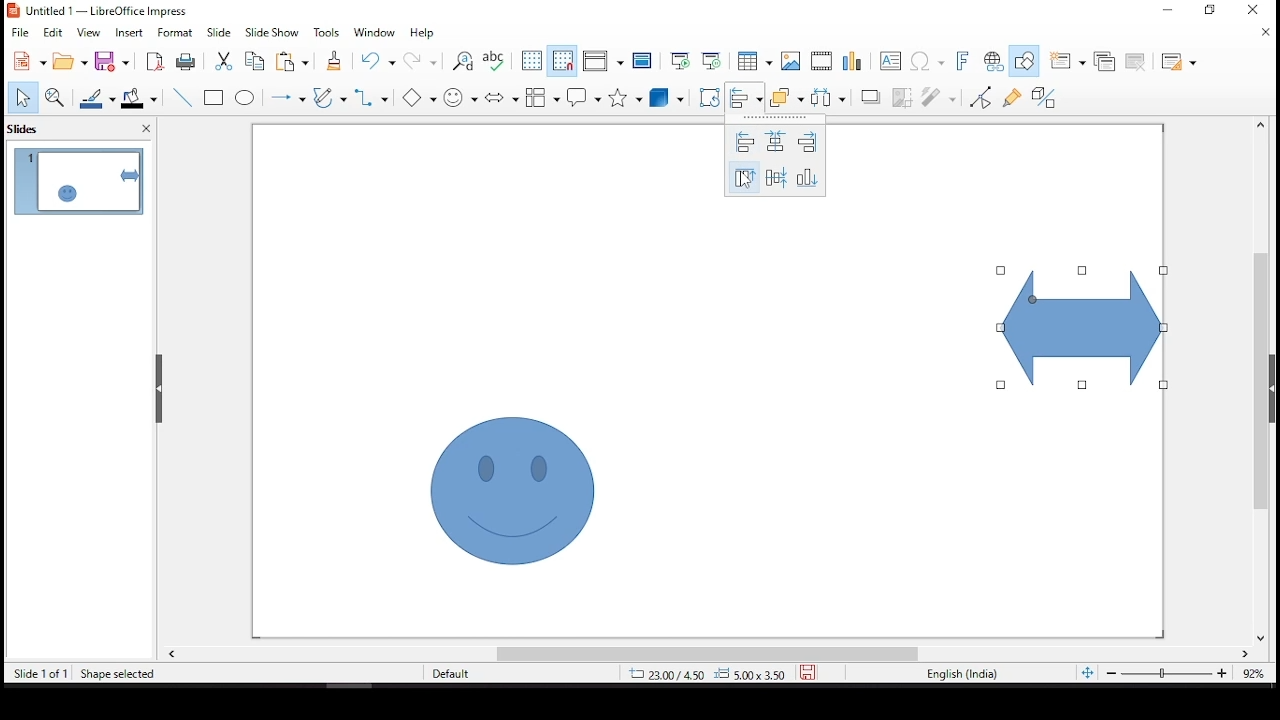 The image size is (1280, 720). I want to click on display grid, so click(531, 59).